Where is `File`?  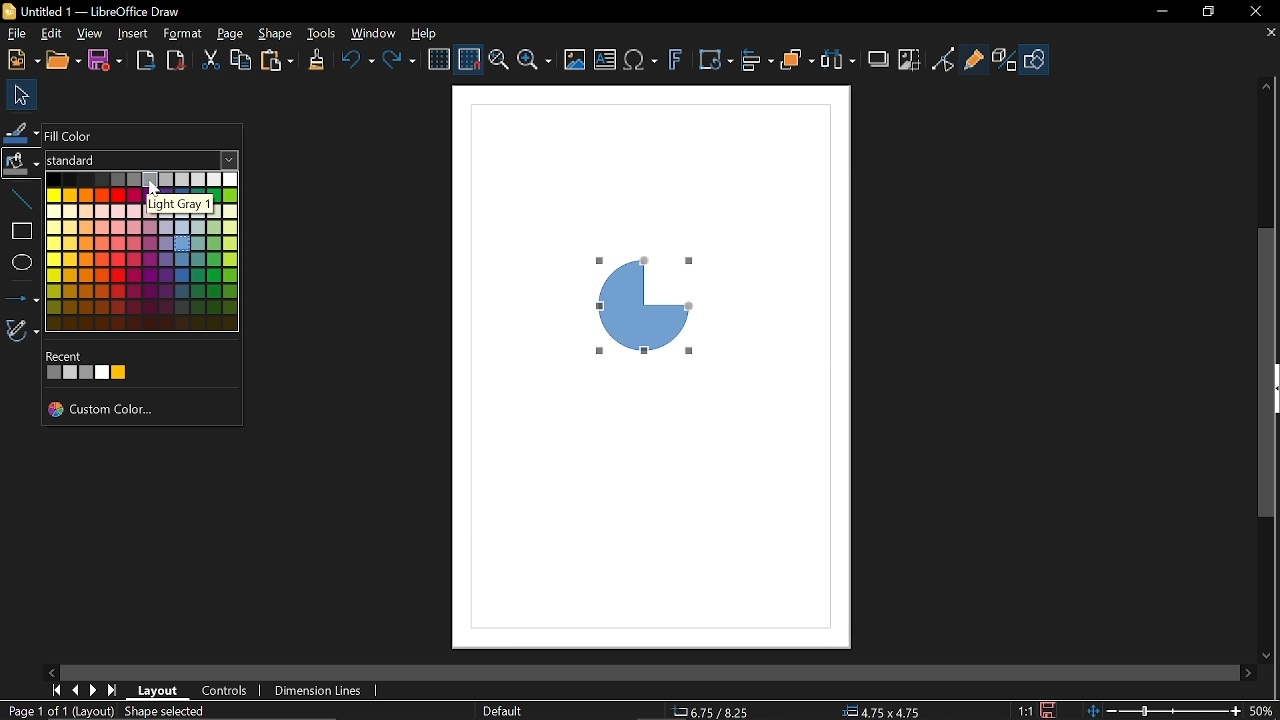
File is located at coordinates (14, 34).